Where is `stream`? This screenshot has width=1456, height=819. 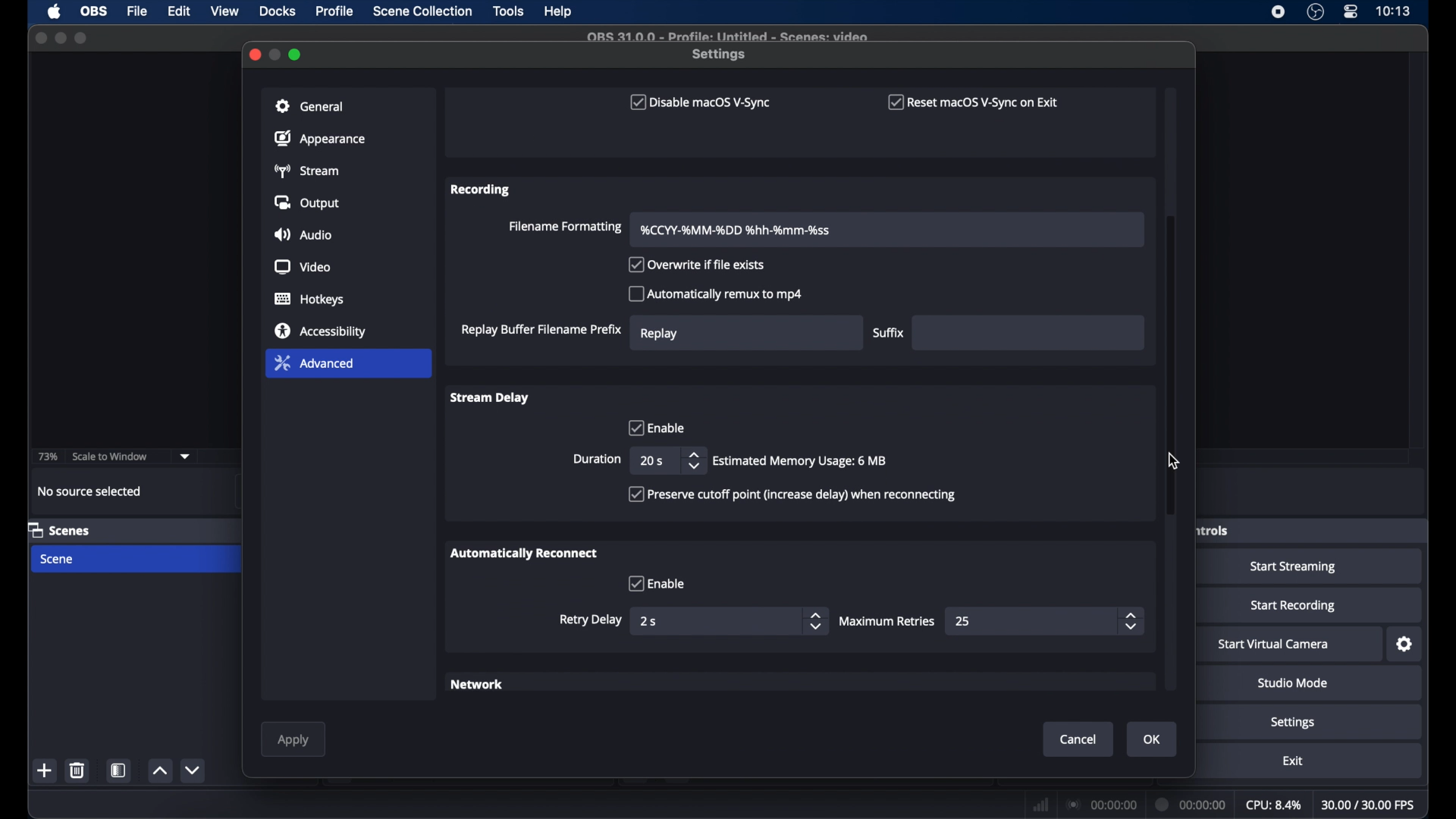
stream is located at coordinates (306, 171).